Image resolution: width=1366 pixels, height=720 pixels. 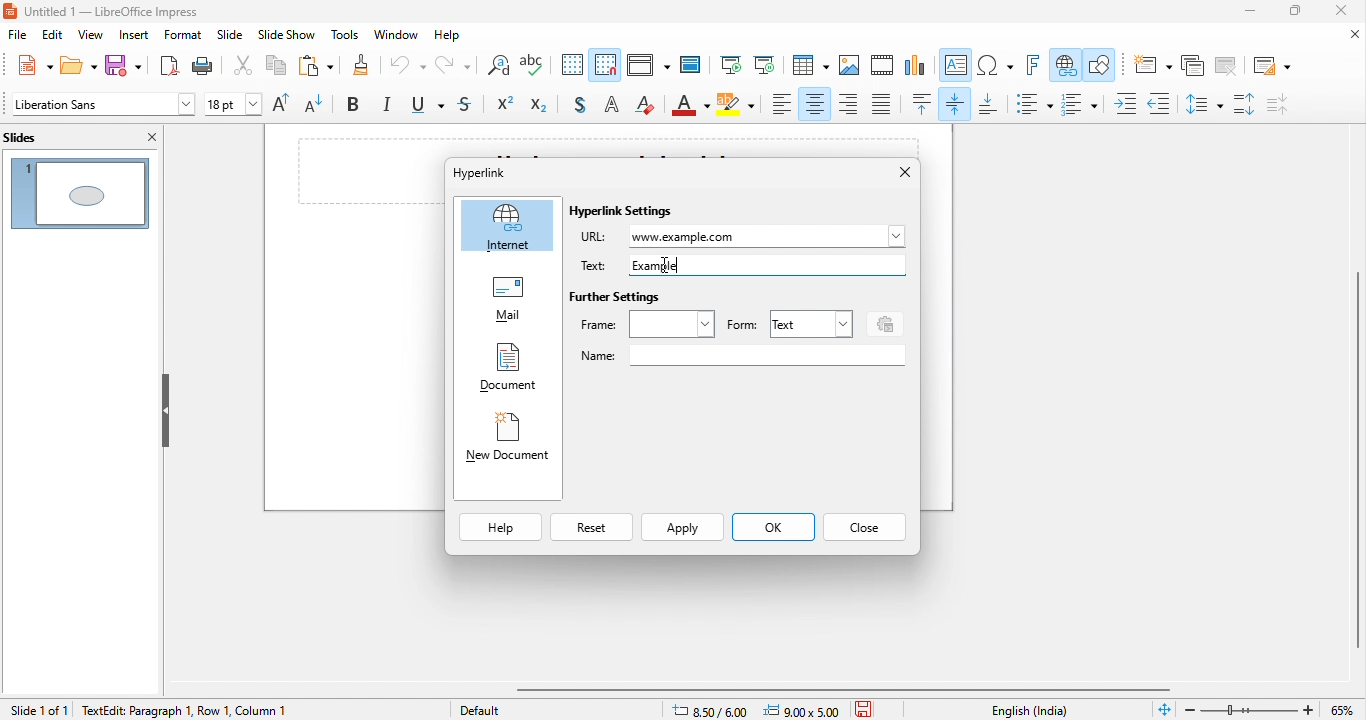 What do you see at coordinates (454, 37) in the screenshot?
I see `help` at bounding box center [454, 37].